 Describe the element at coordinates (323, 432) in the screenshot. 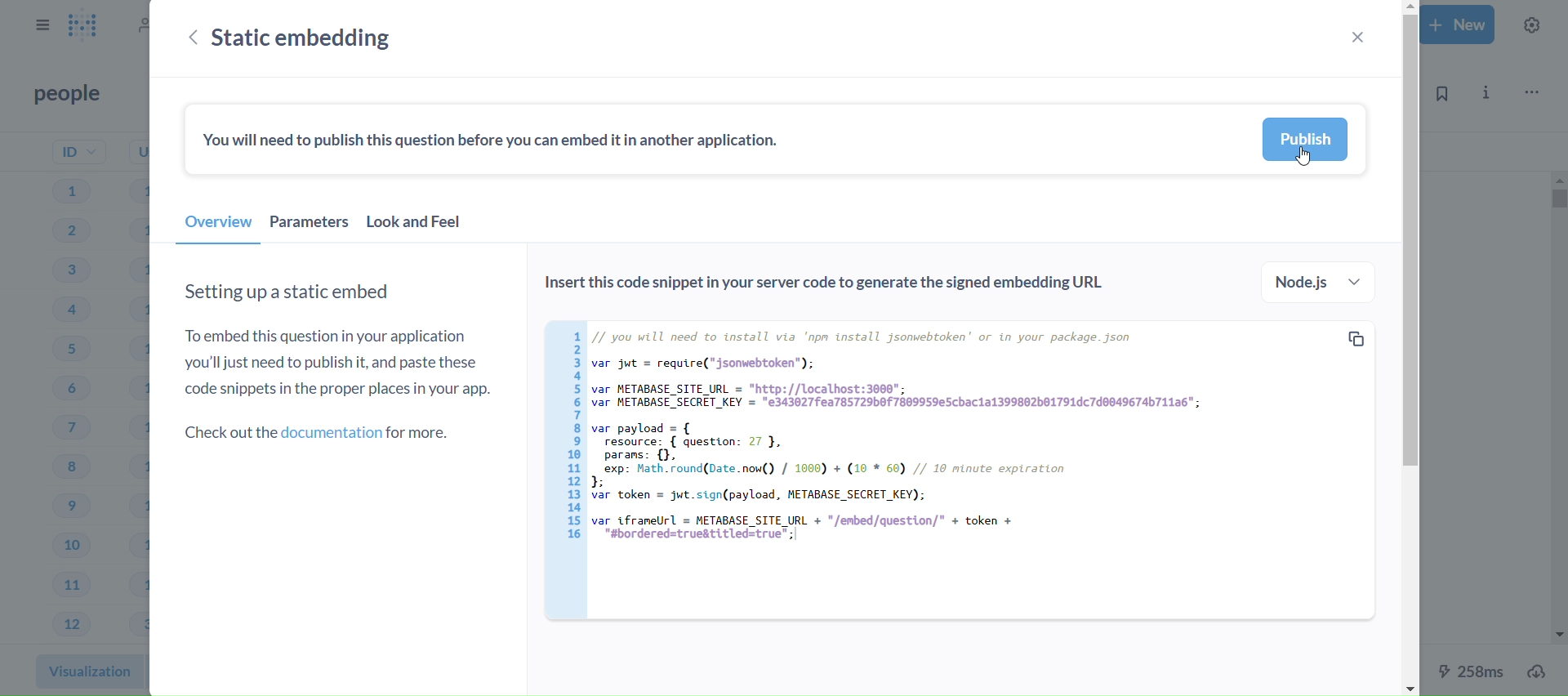

I see `Check out the documentation for more.` at that location.